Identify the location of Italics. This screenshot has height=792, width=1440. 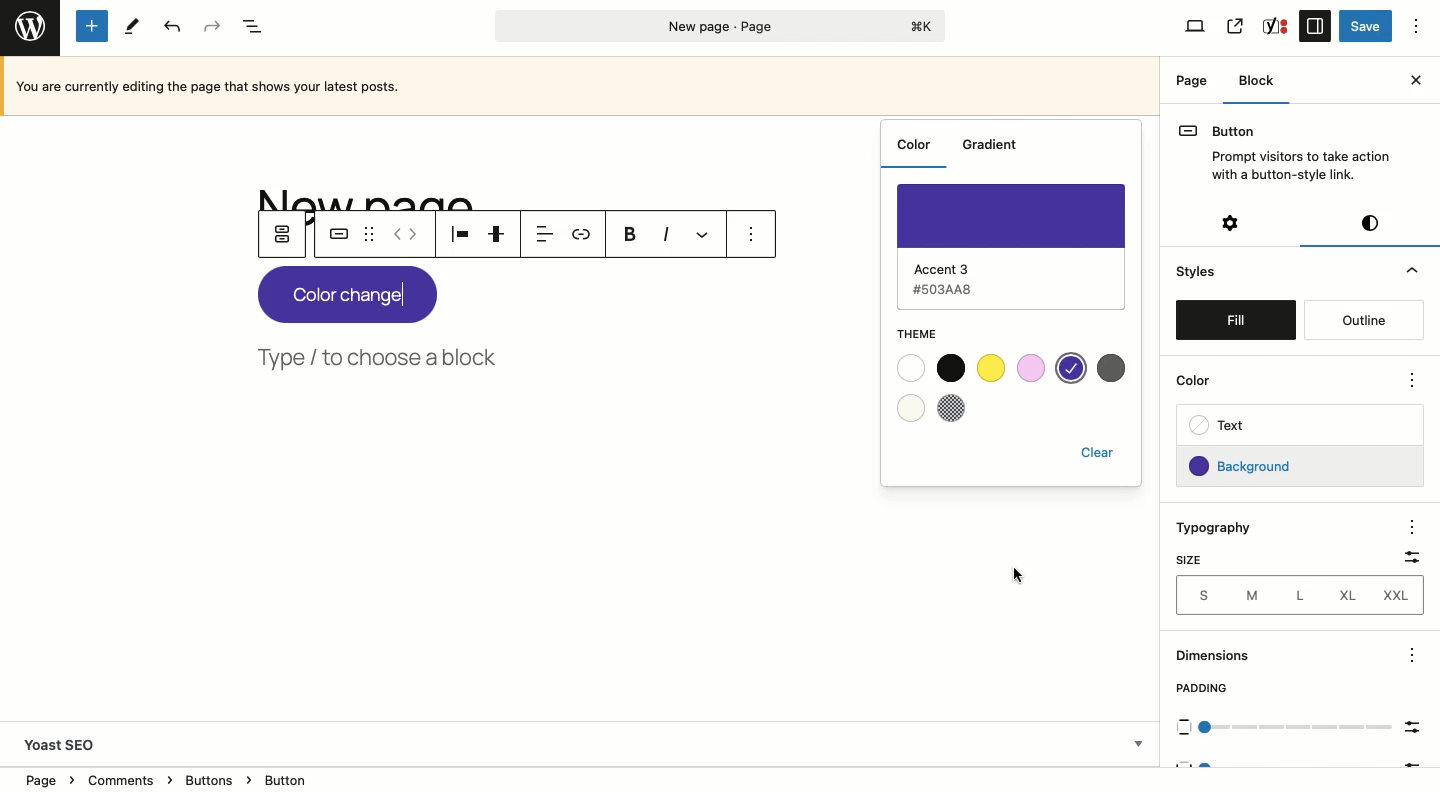
(666, 234).